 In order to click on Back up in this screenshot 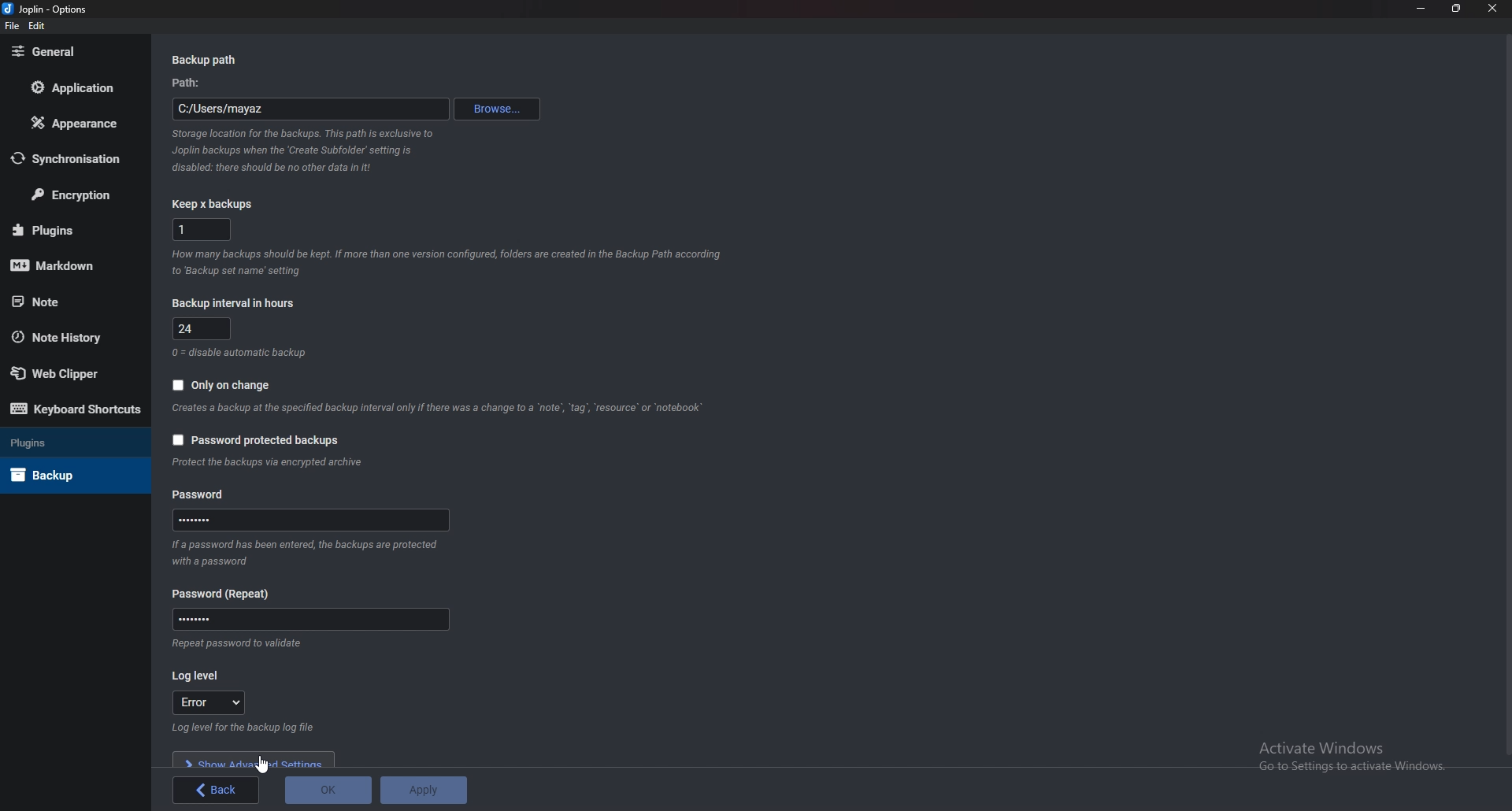, I will do `click(58, 475)`.